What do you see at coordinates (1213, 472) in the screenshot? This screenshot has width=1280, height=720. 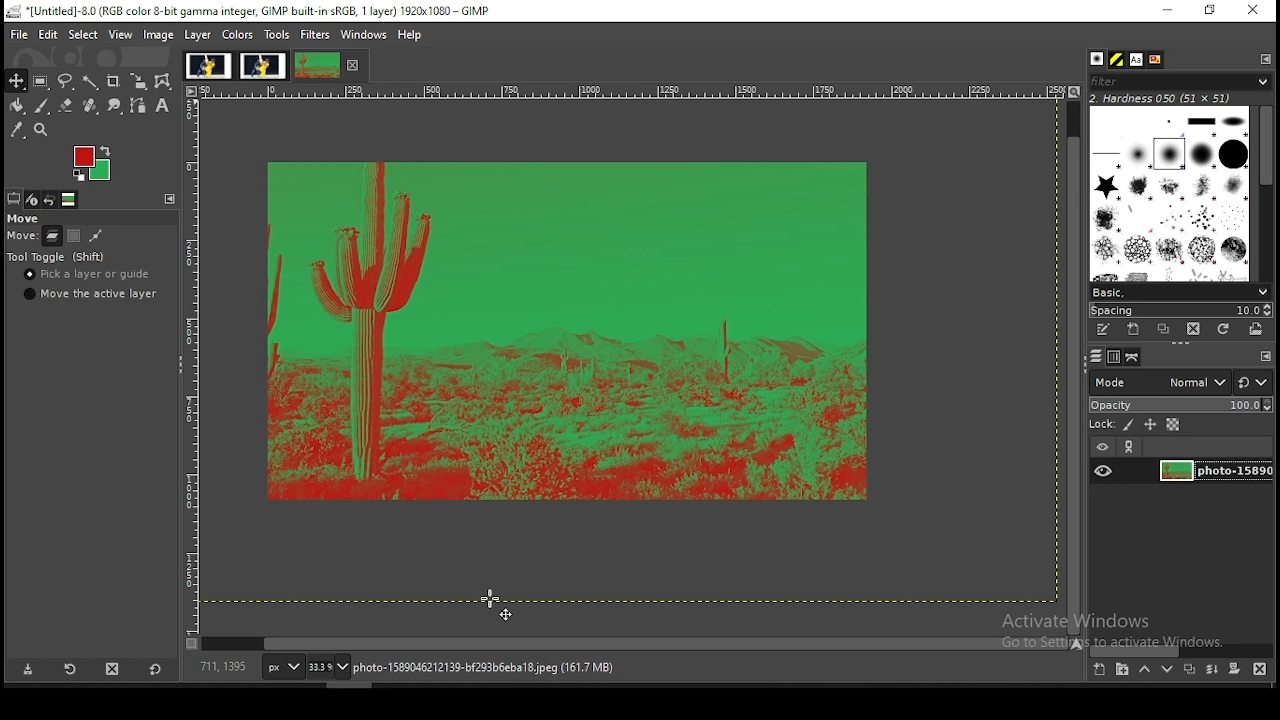 I see `layer` at bounding box center [1213, 472].